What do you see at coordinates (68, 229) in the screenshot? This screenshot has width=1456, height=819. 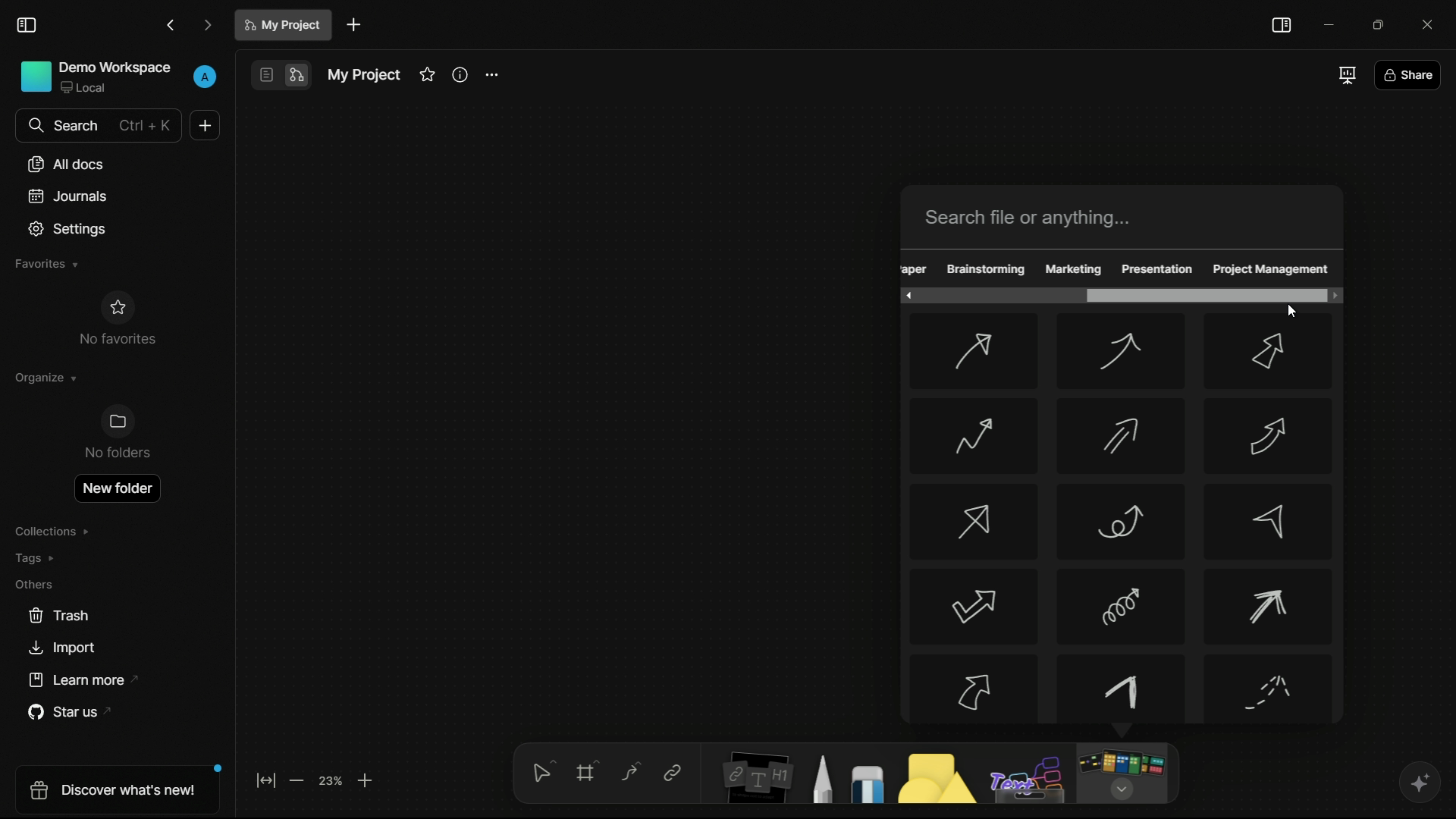 I see `settings` at bounding box center [68, 229].